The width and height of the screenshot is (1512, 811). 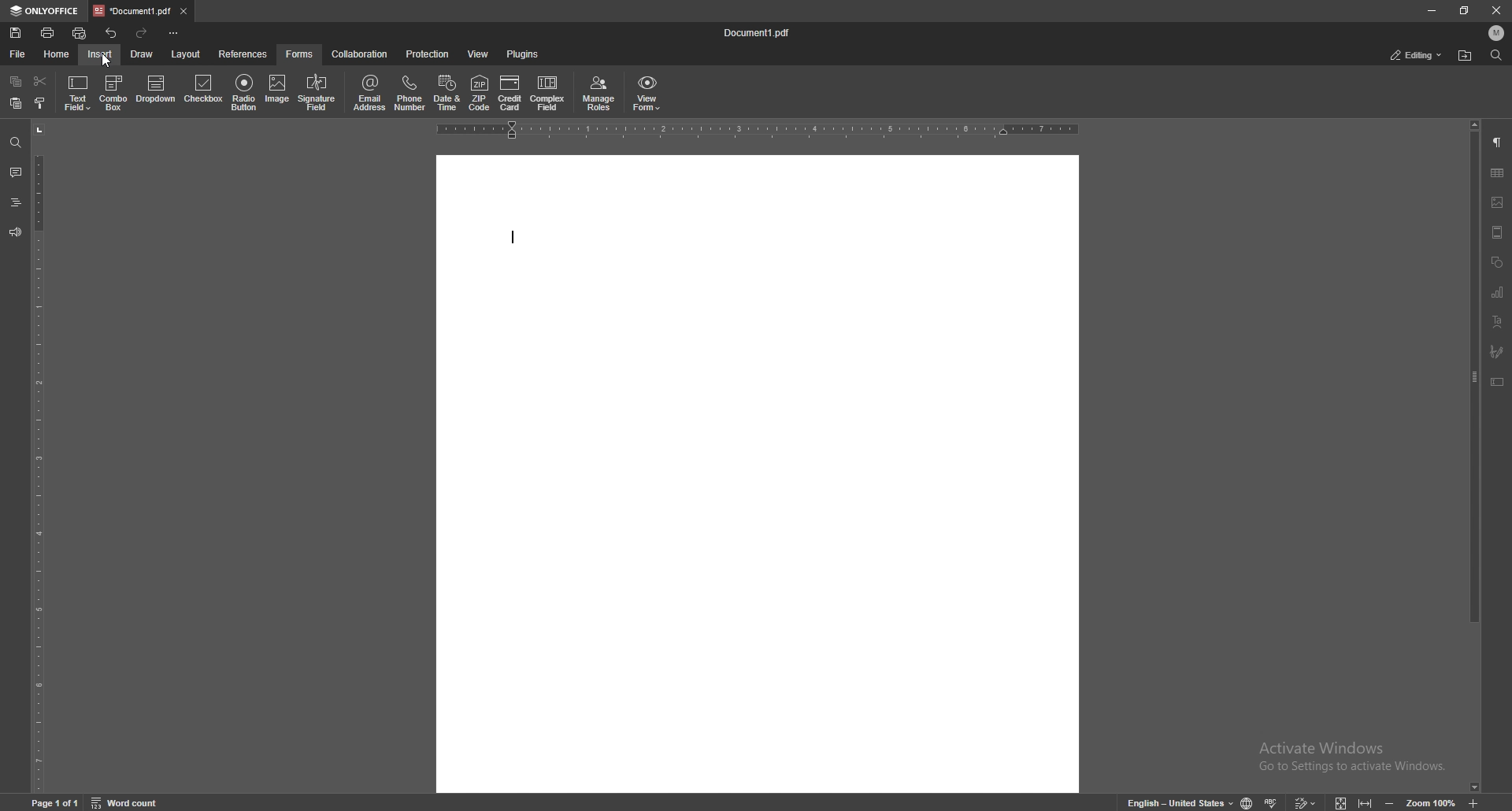 What do you see at coordinates (1497, 202) in the screenshot?
I see `image` at bounding box center [1497, 202].